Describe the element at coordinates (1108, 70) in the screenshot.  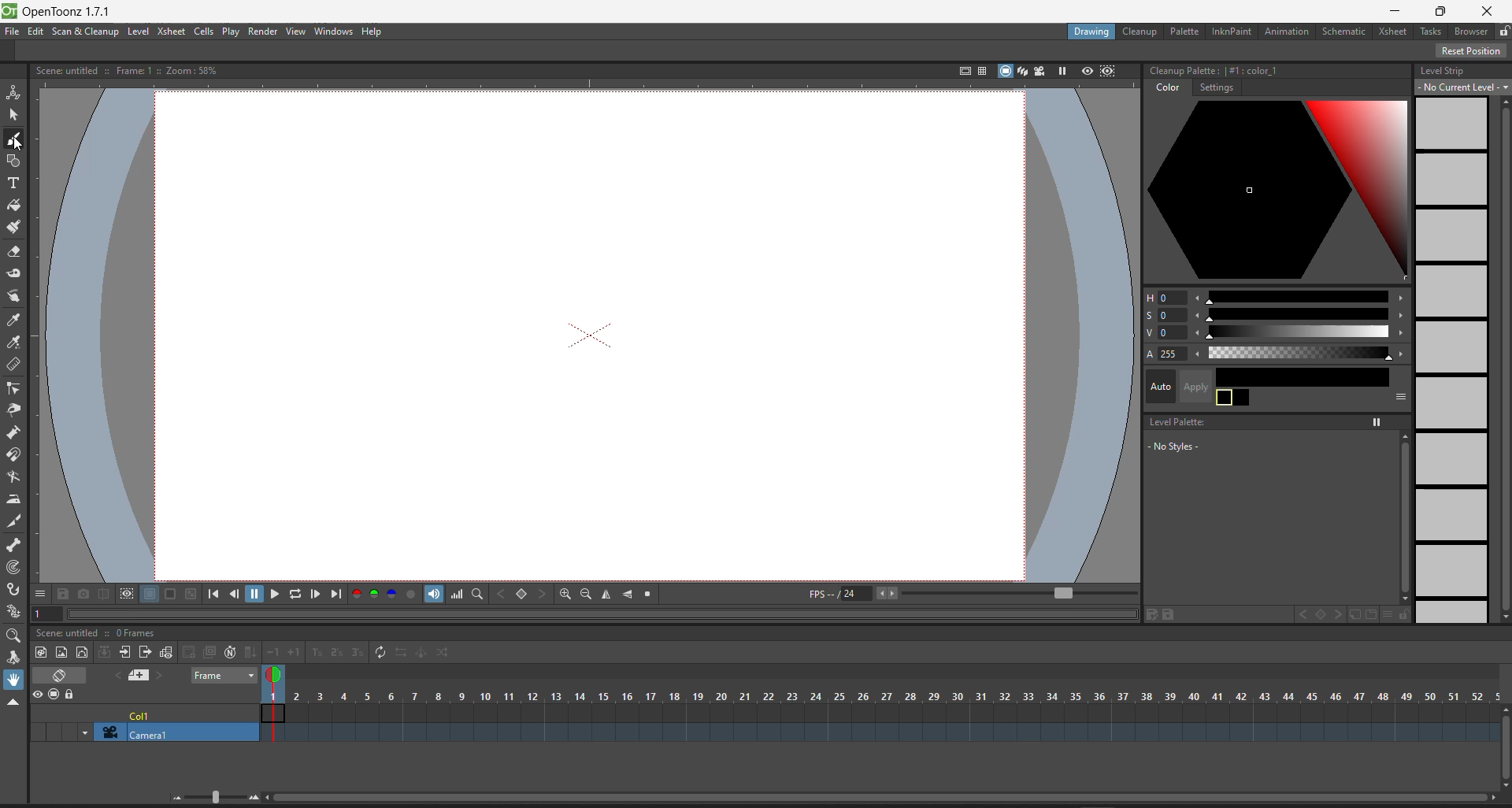
I see `sub camera preview` at that location.